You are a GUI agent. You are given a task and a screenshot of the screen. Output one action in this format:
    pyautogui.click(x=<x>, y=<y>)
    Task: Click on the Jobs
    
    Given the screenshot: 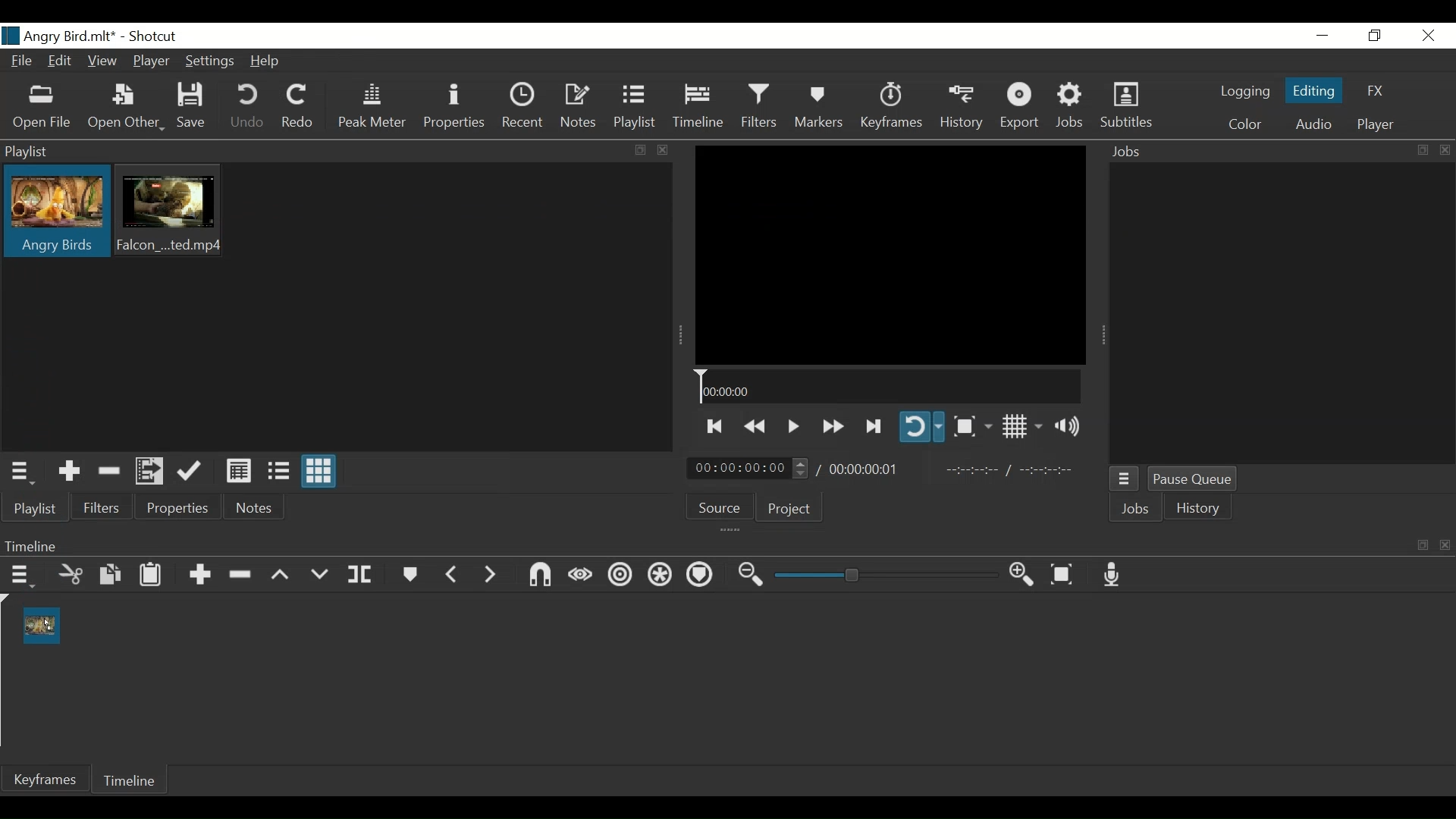 What is the action you would take?
    pyautogui.click(x=1135, y=508)
    